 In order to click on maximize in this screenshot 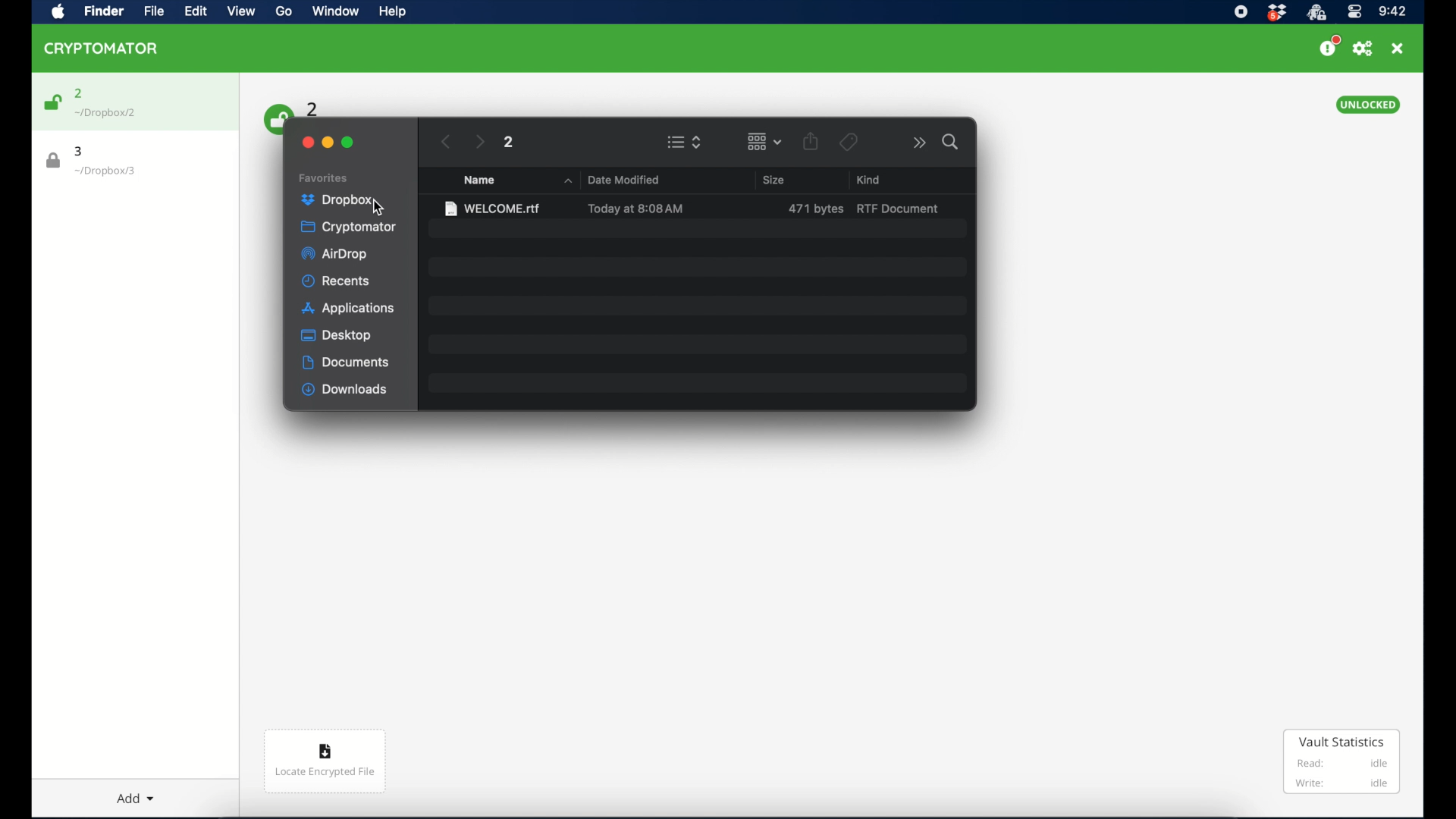, I will do `click(348, 143)`.